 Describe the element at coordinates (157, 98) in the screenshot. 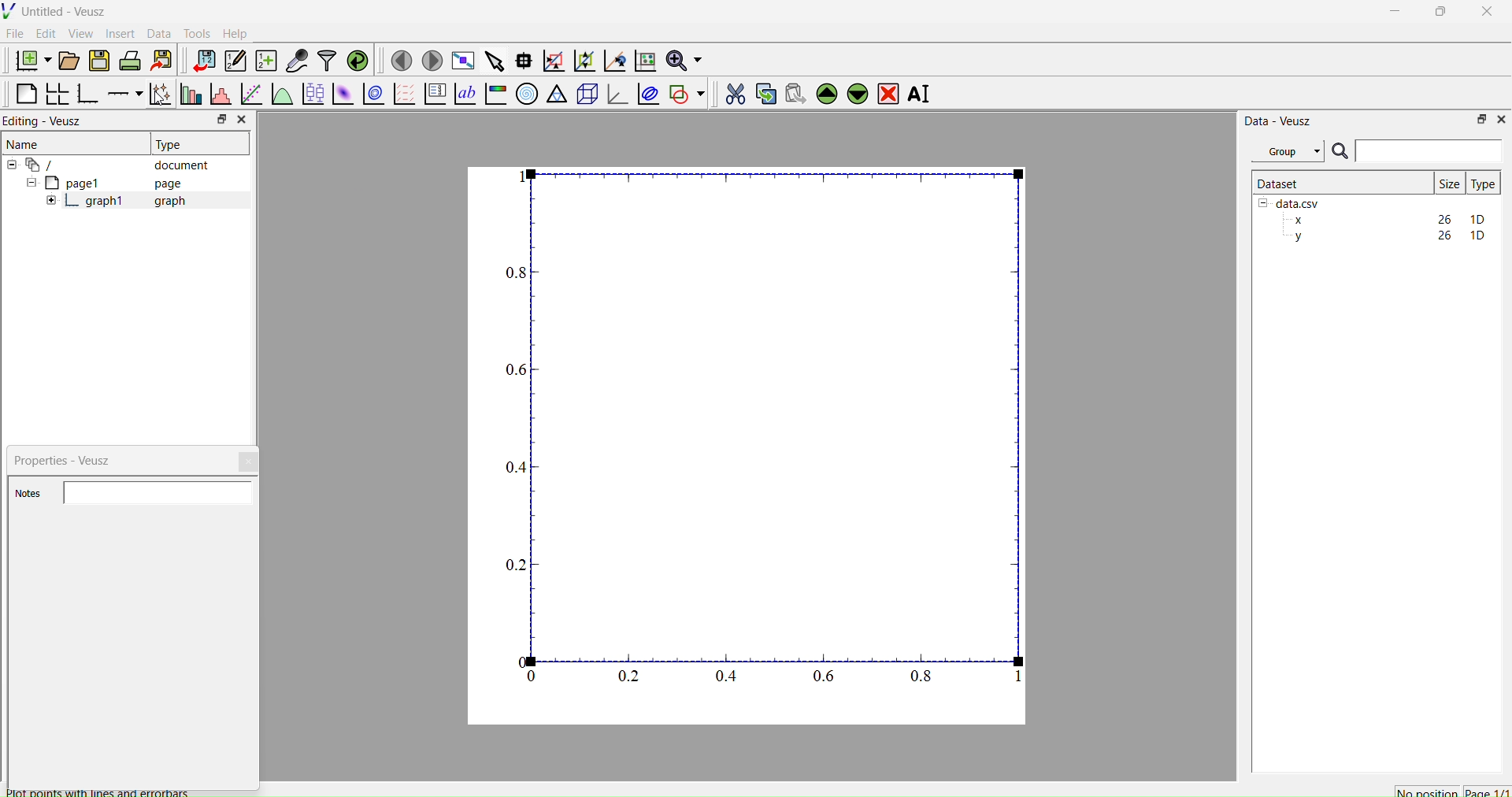

I see `Cursor` at that location.